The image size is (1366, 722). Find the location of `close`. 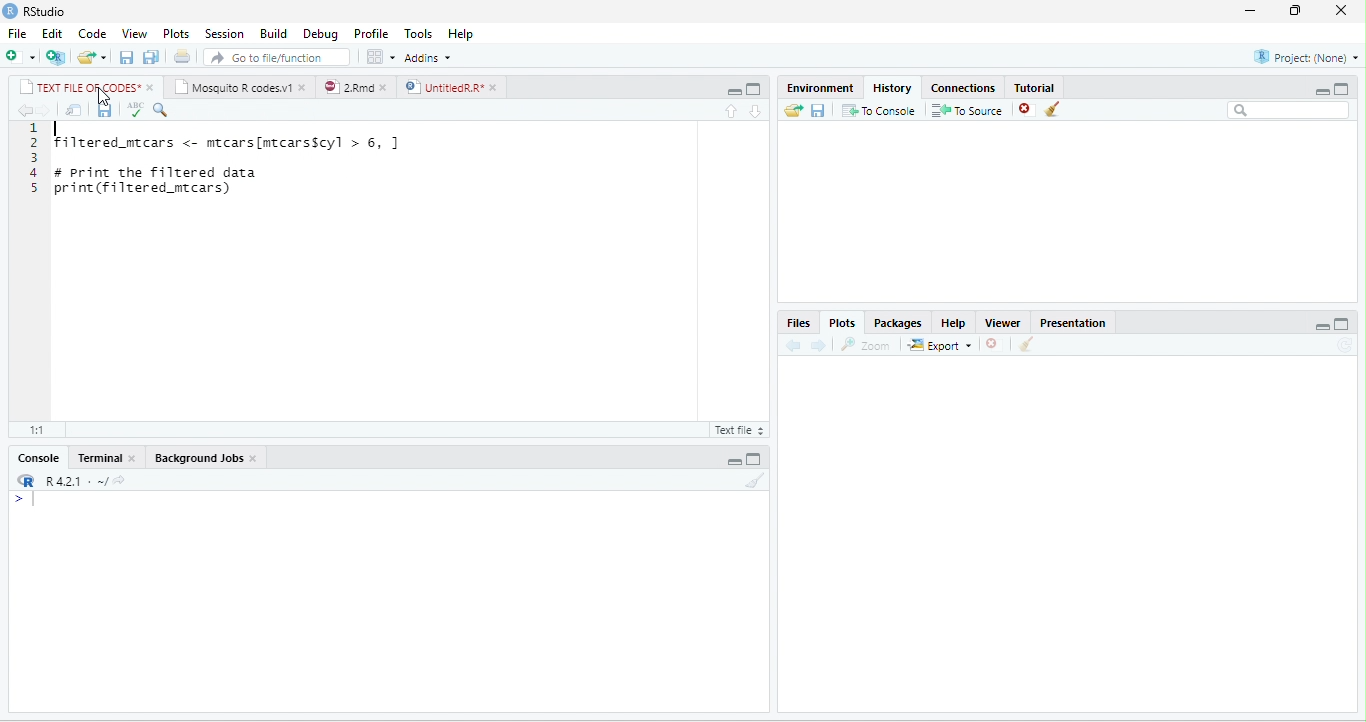

close is located at coordinates (496, 88).